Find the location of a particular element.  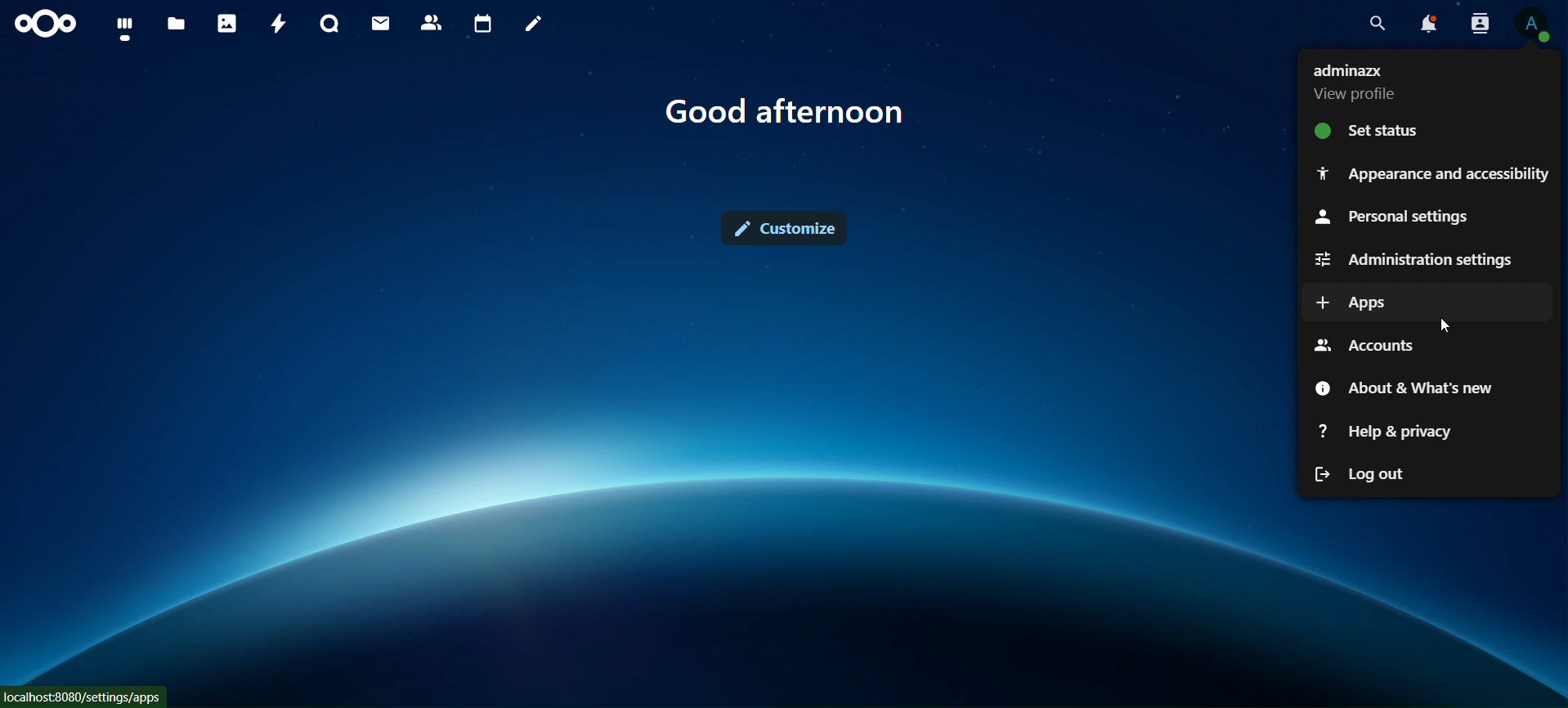

talk is located at coordinates (329, 24).